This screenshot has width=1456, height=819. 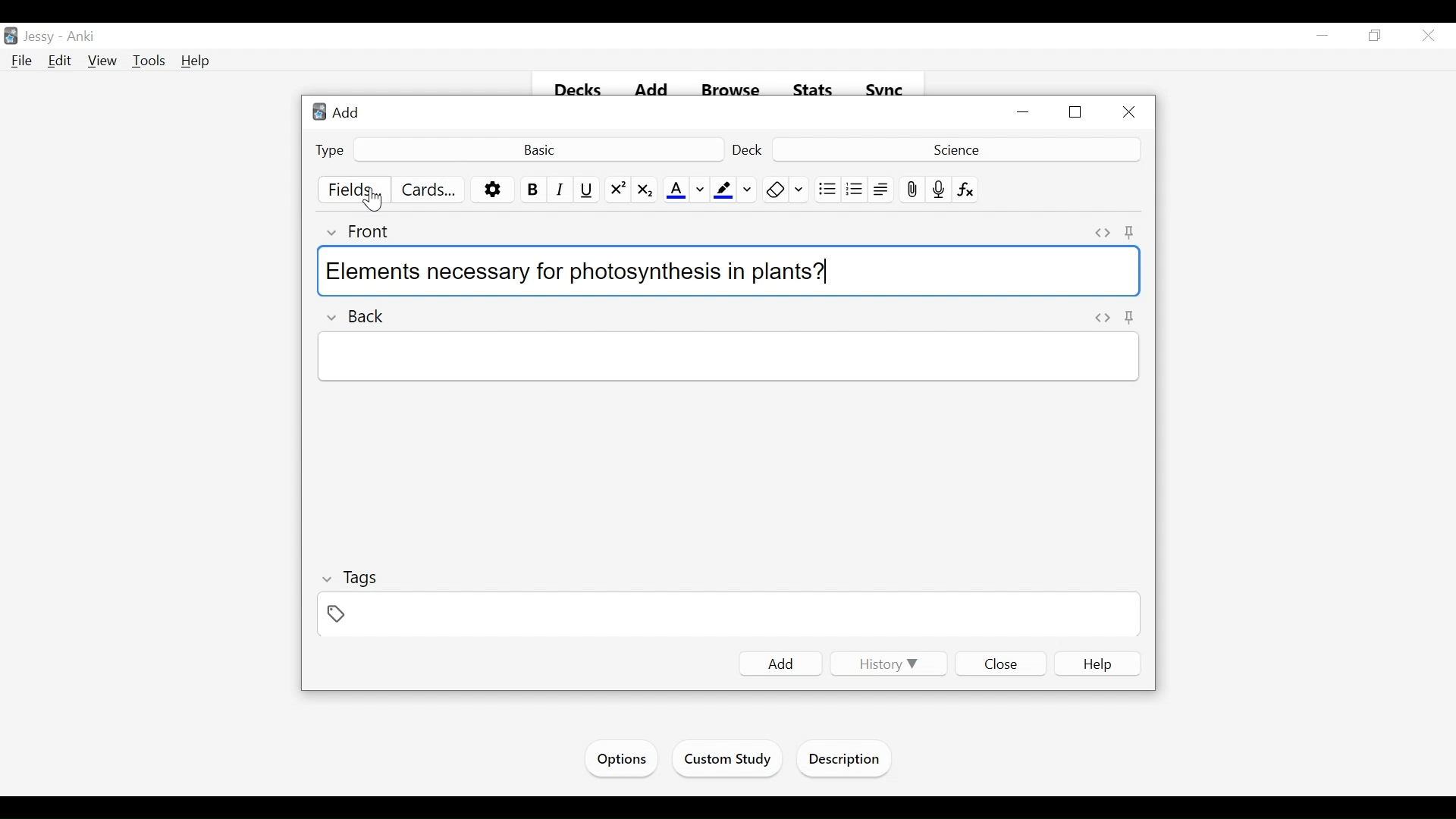 What do you see at coordinates (1426, 37) in the screenshot?
I see `Close` at bounding box center [1426, 37].